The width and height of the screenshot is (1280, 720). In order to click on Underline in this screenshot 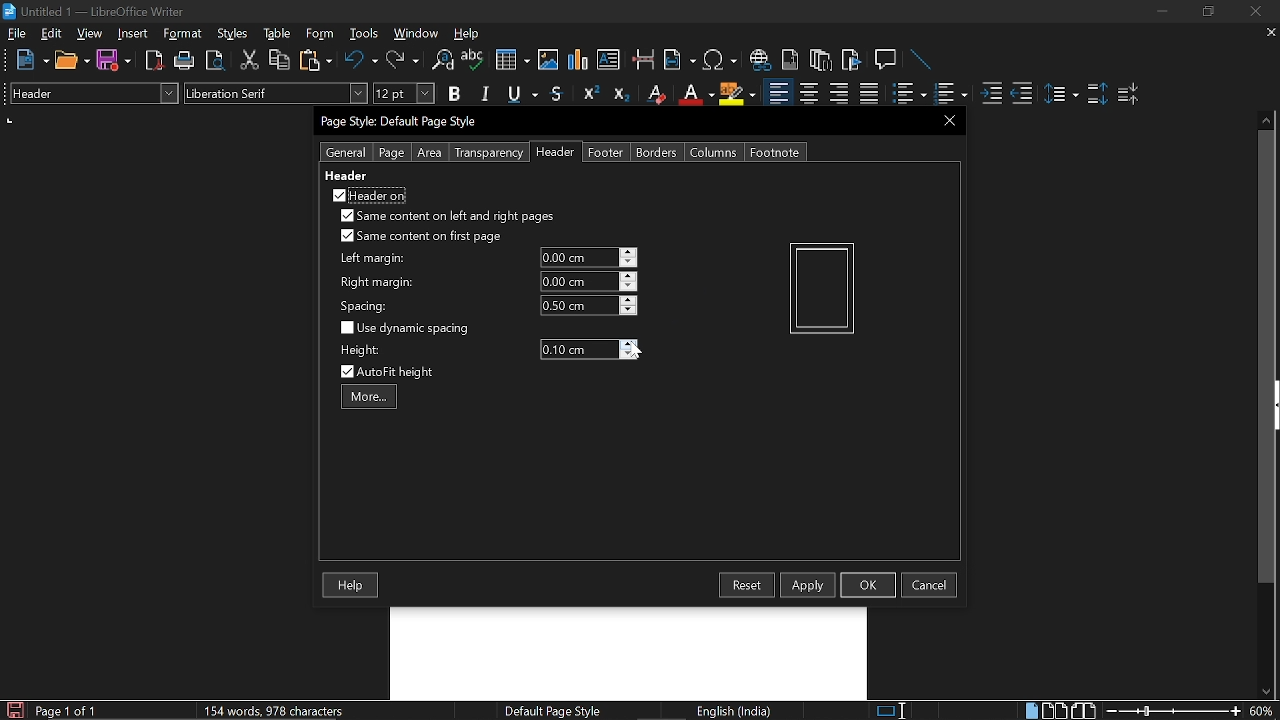, I will do `click(524, 95)`.